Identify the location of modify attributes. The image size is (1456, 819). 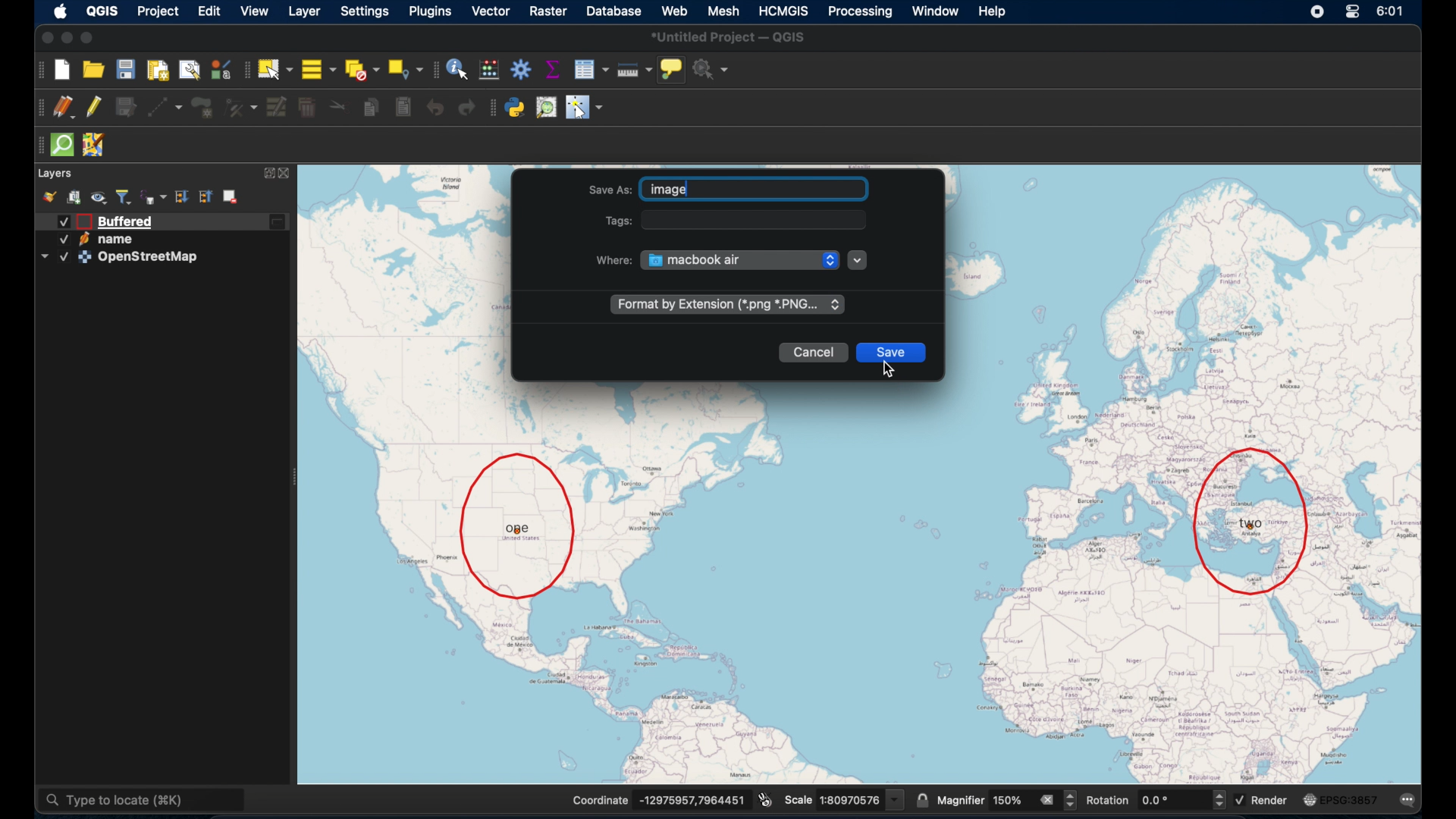
(276, 107).